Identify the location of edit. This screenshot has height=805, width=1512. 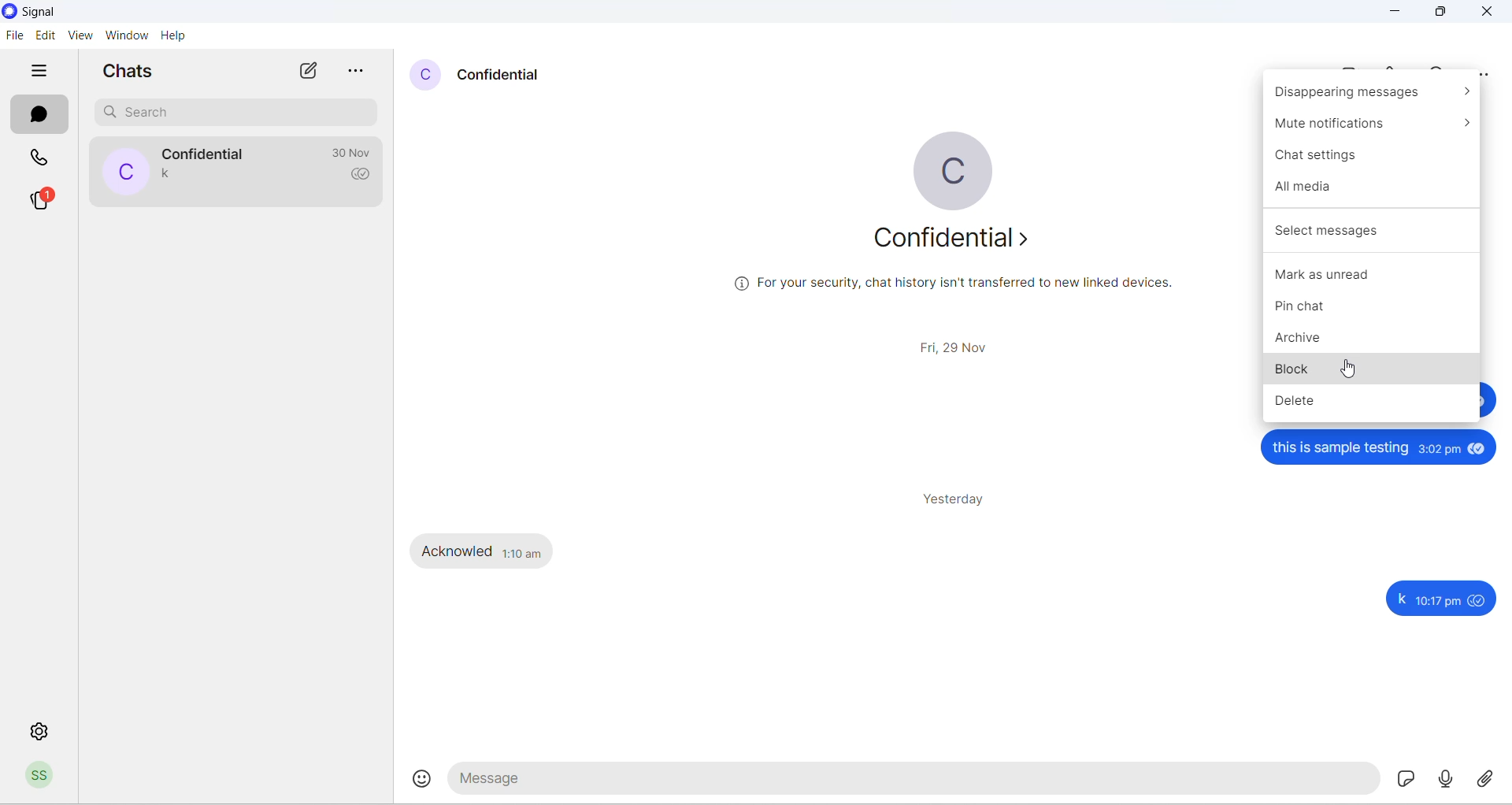
(44, 34).